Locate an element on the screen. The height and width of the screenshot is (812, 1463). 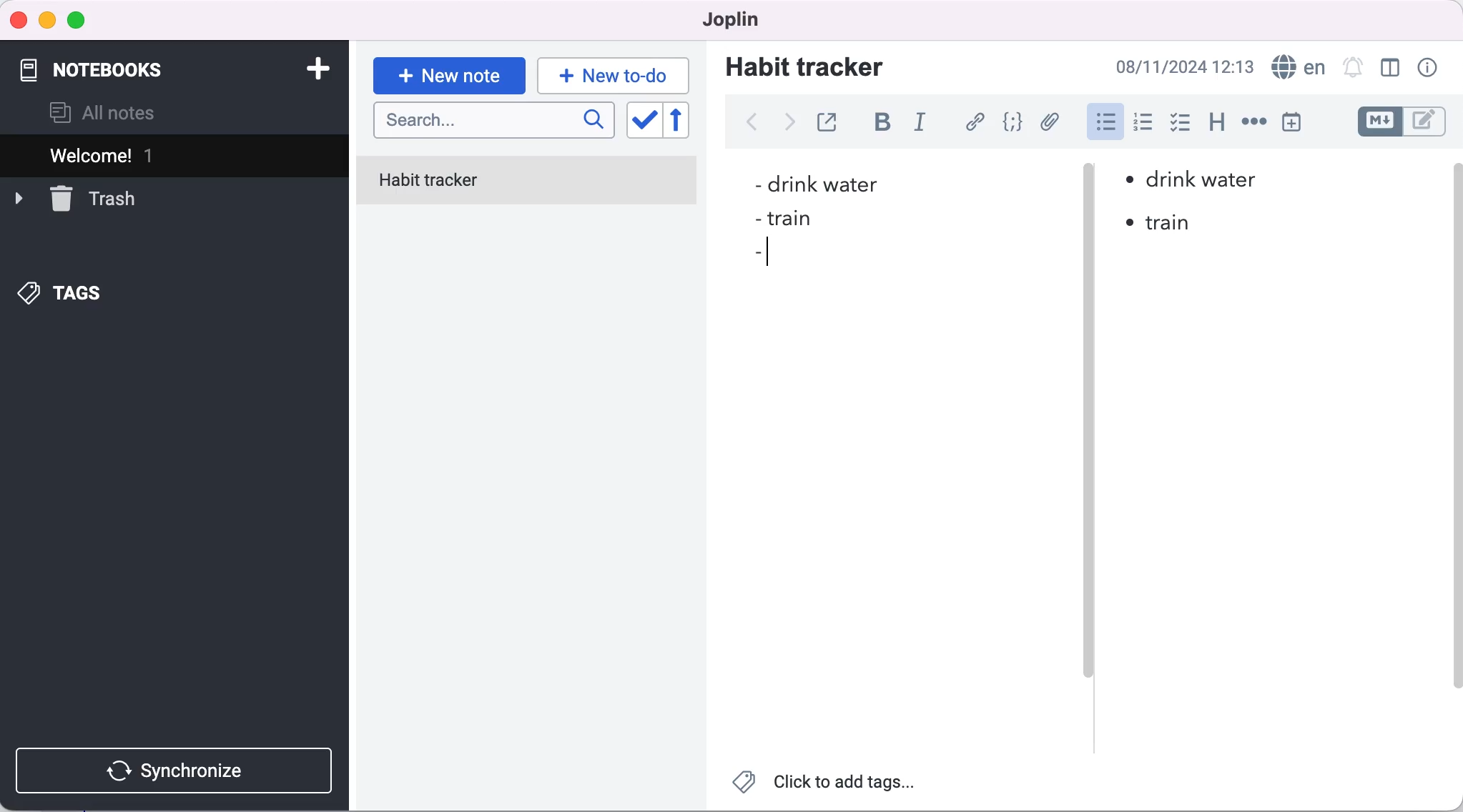
click to add tags is located at coordinates (826, 786).